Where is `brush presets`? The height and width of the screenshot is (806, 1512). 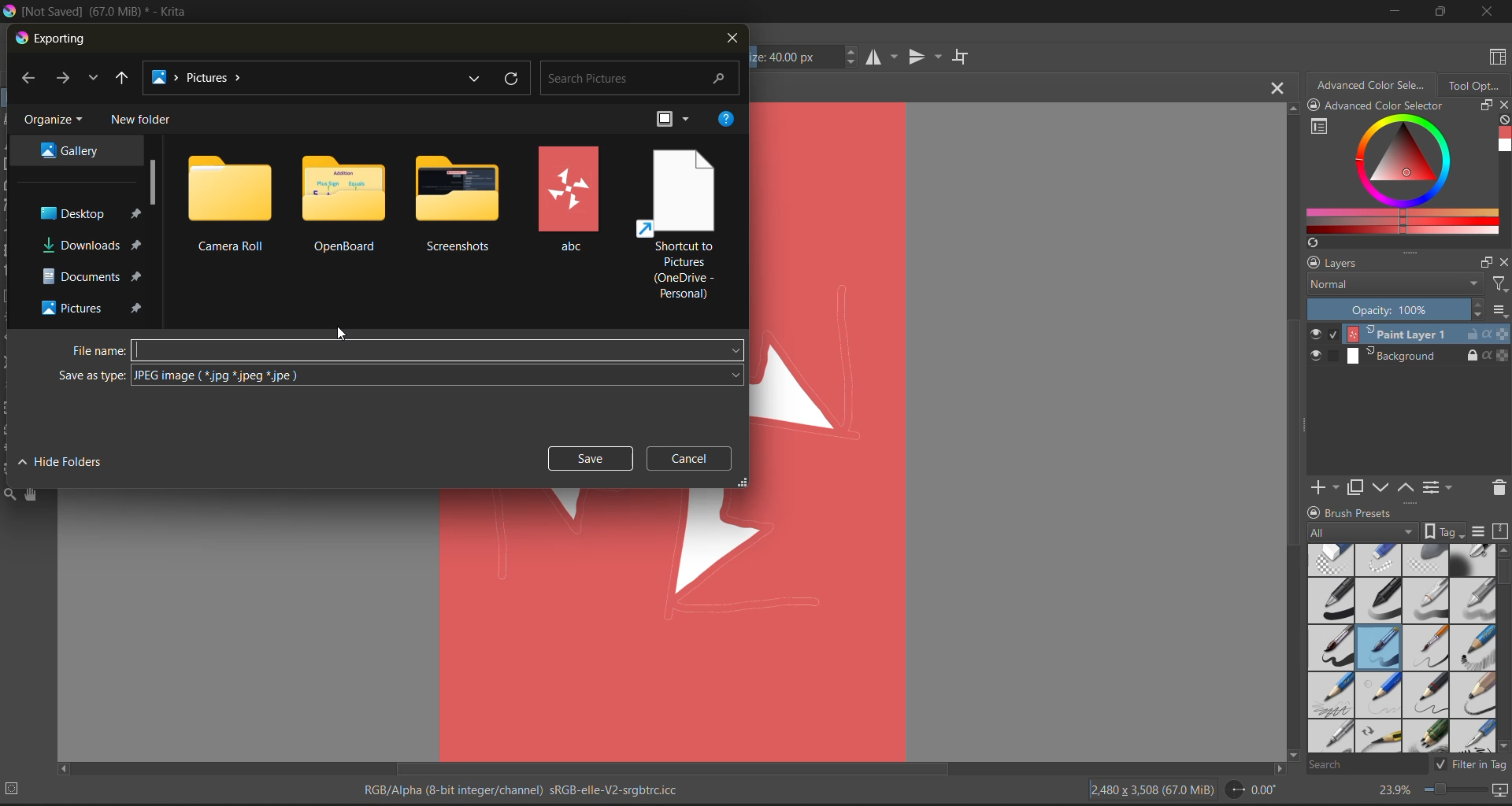
brush presets is located at coordinates (1403, 649).